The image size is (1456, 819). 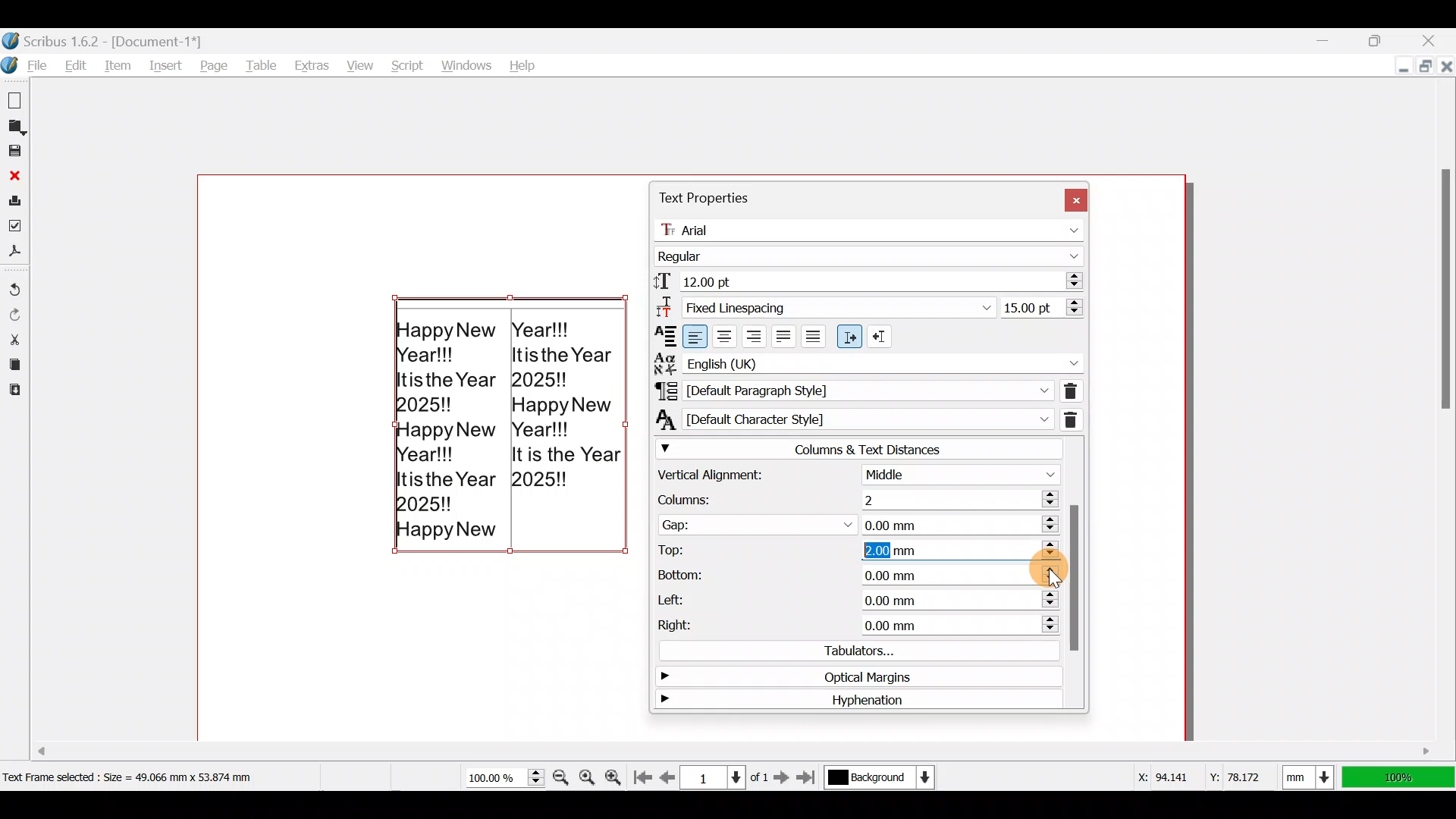 I want to click on Align text center, so click(x=727, y=334).